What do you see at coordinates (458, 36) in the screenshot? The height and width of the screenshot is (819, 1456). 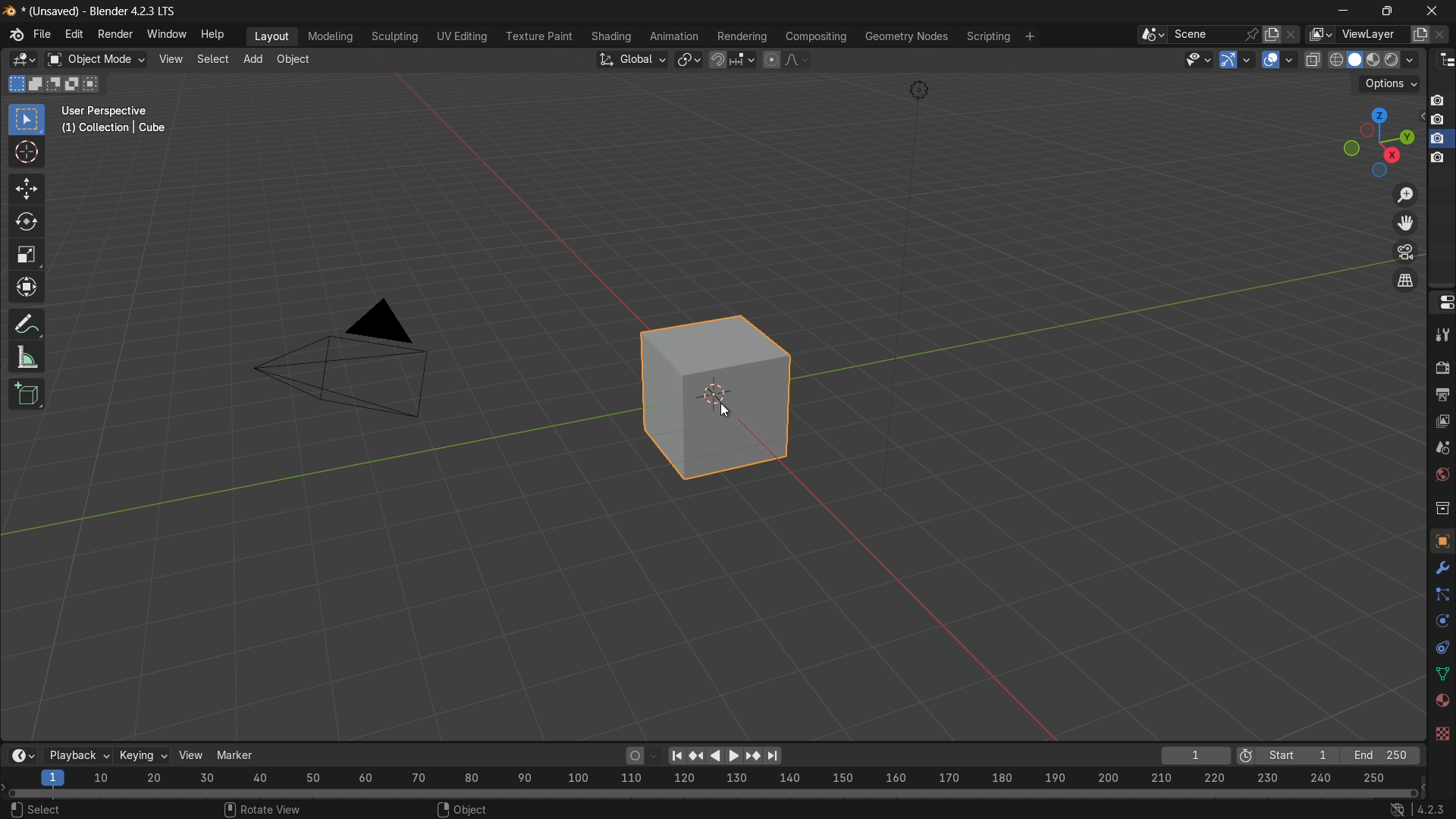 I see `uv editing menu` at bounding box center [458, 36].